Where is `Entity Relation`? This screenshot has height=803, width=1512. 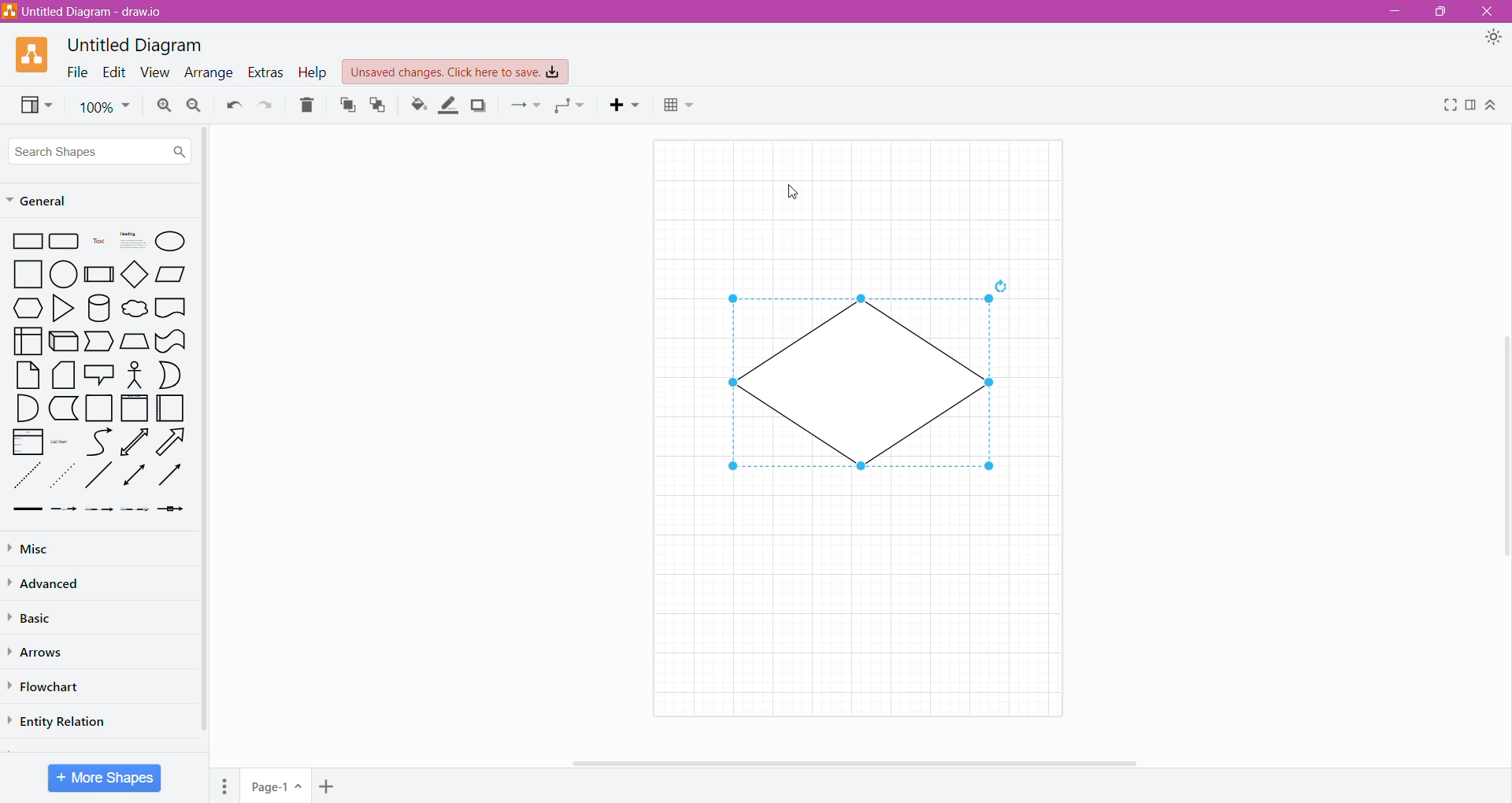
Entity Relation is located at coordinates (61, 720).